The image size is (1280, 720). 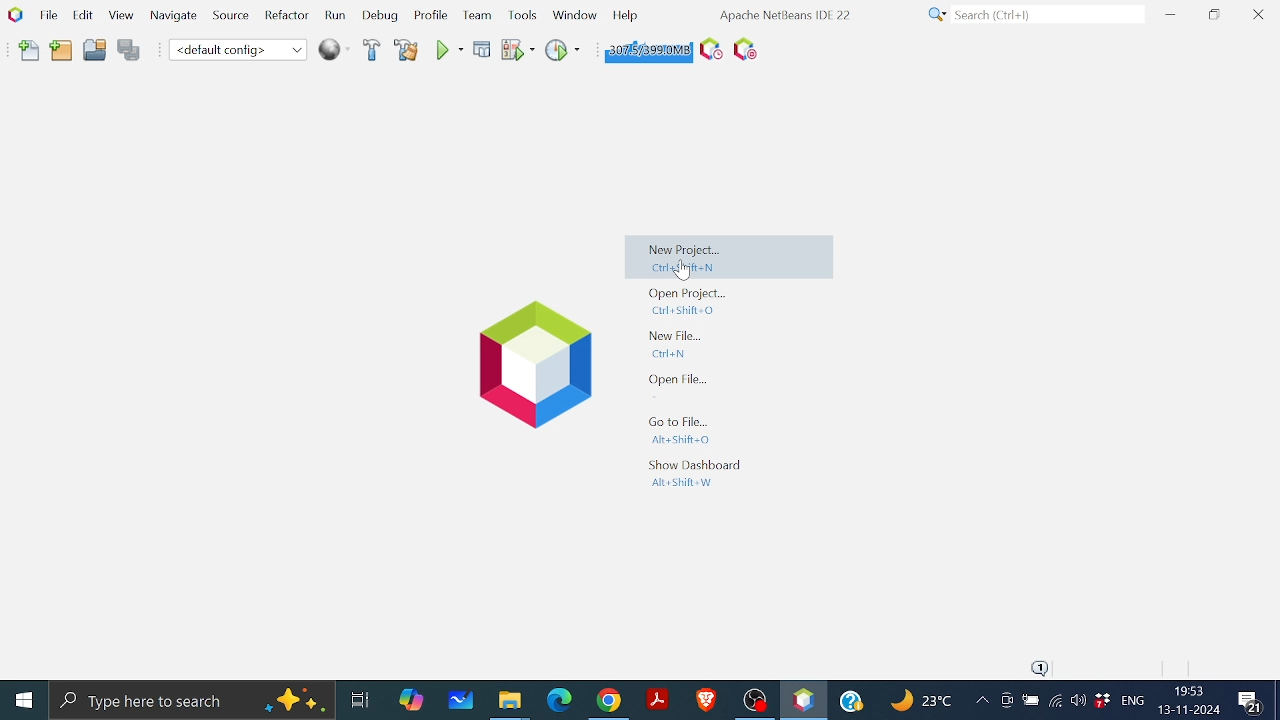 What do you see at coordinates (519, 50) in the screenshot?
I see `Run Project` at bounding box center [519, 50].